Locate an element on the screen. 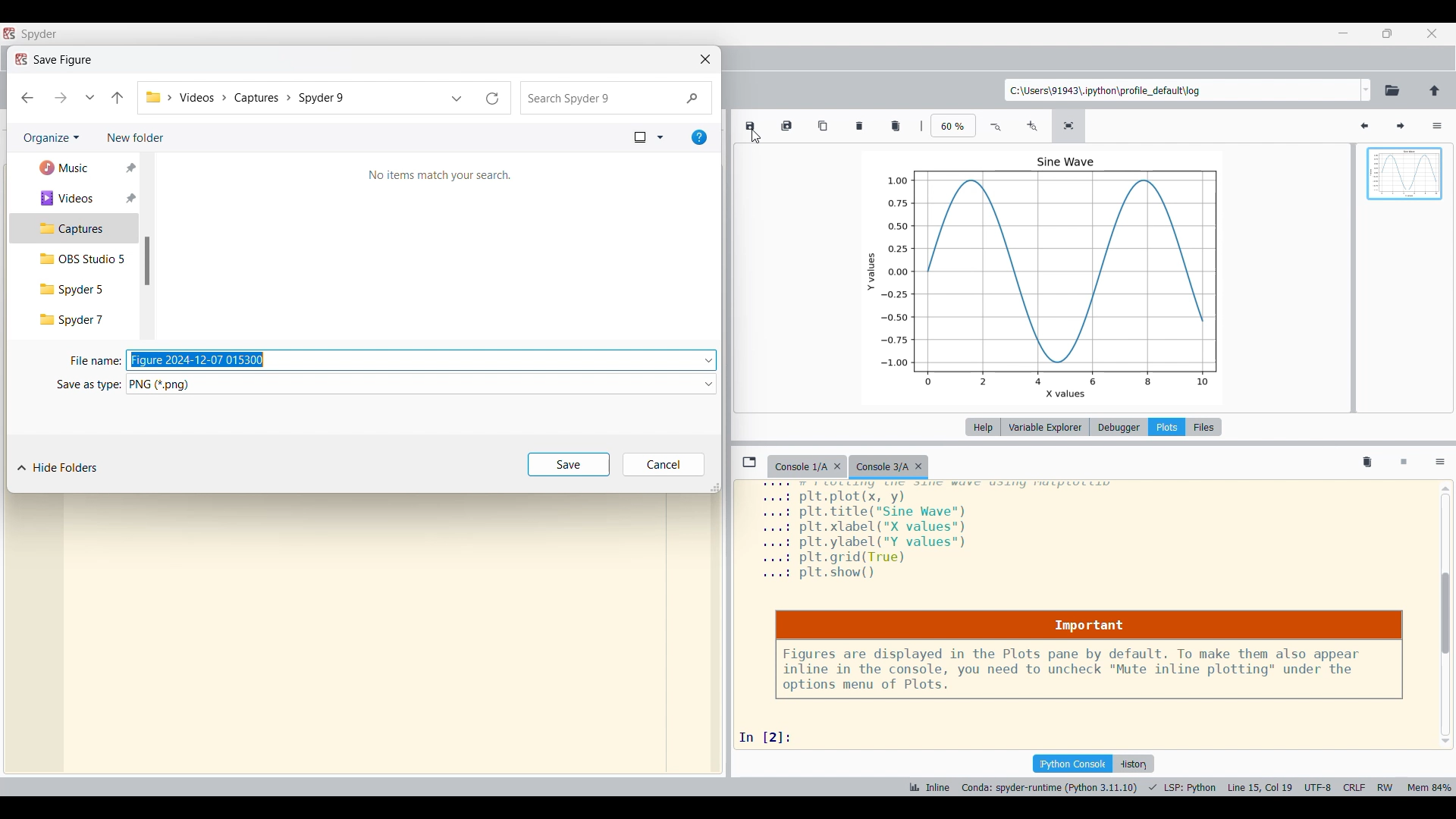 The width and height of the screenshot is (1456, 819). Plots is located at coordinates (1166, 427).